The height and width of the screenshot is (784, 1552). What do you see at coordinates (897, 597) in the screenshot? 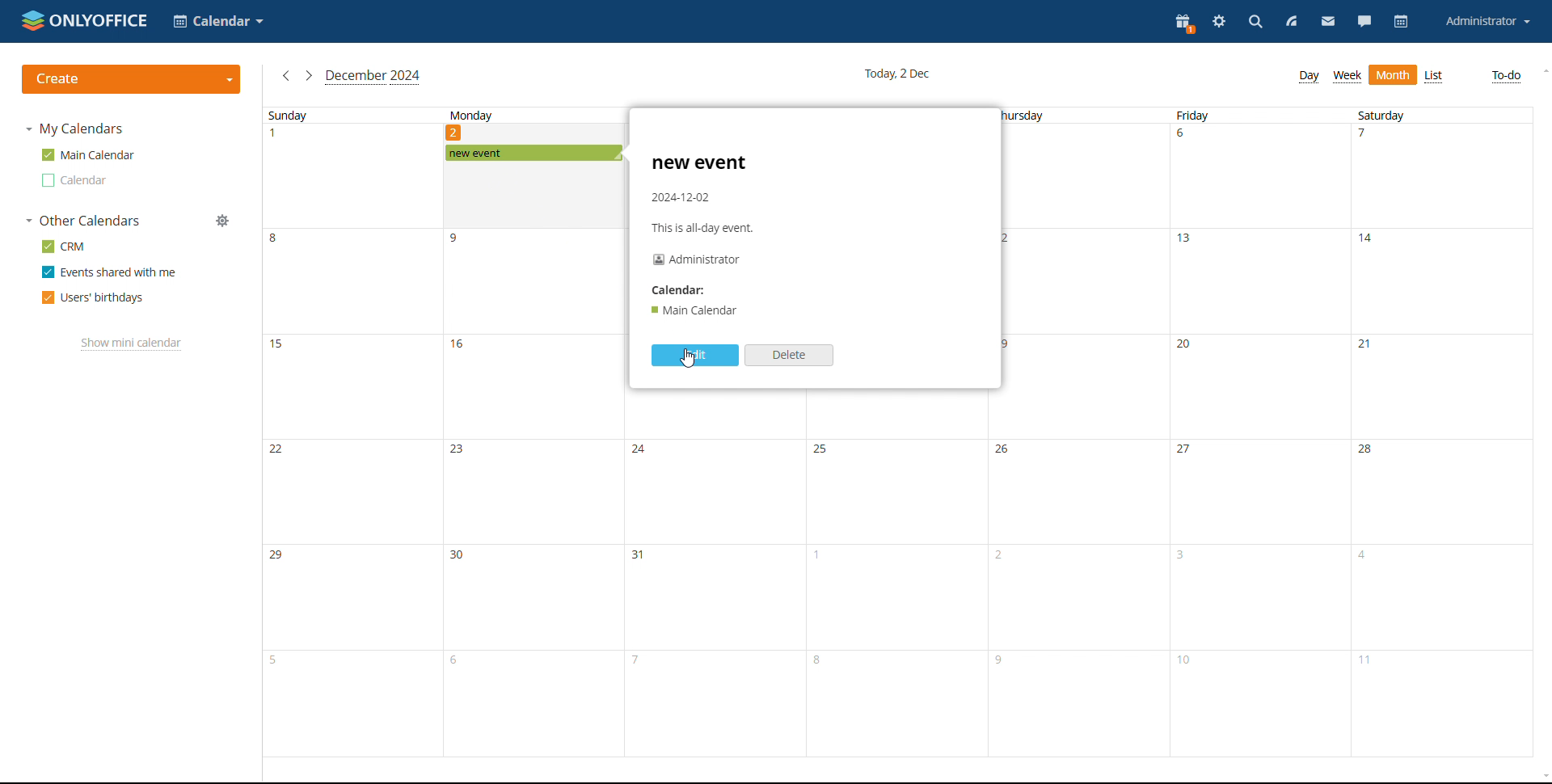
I see `wednesday` at bounding box center [897, 597].